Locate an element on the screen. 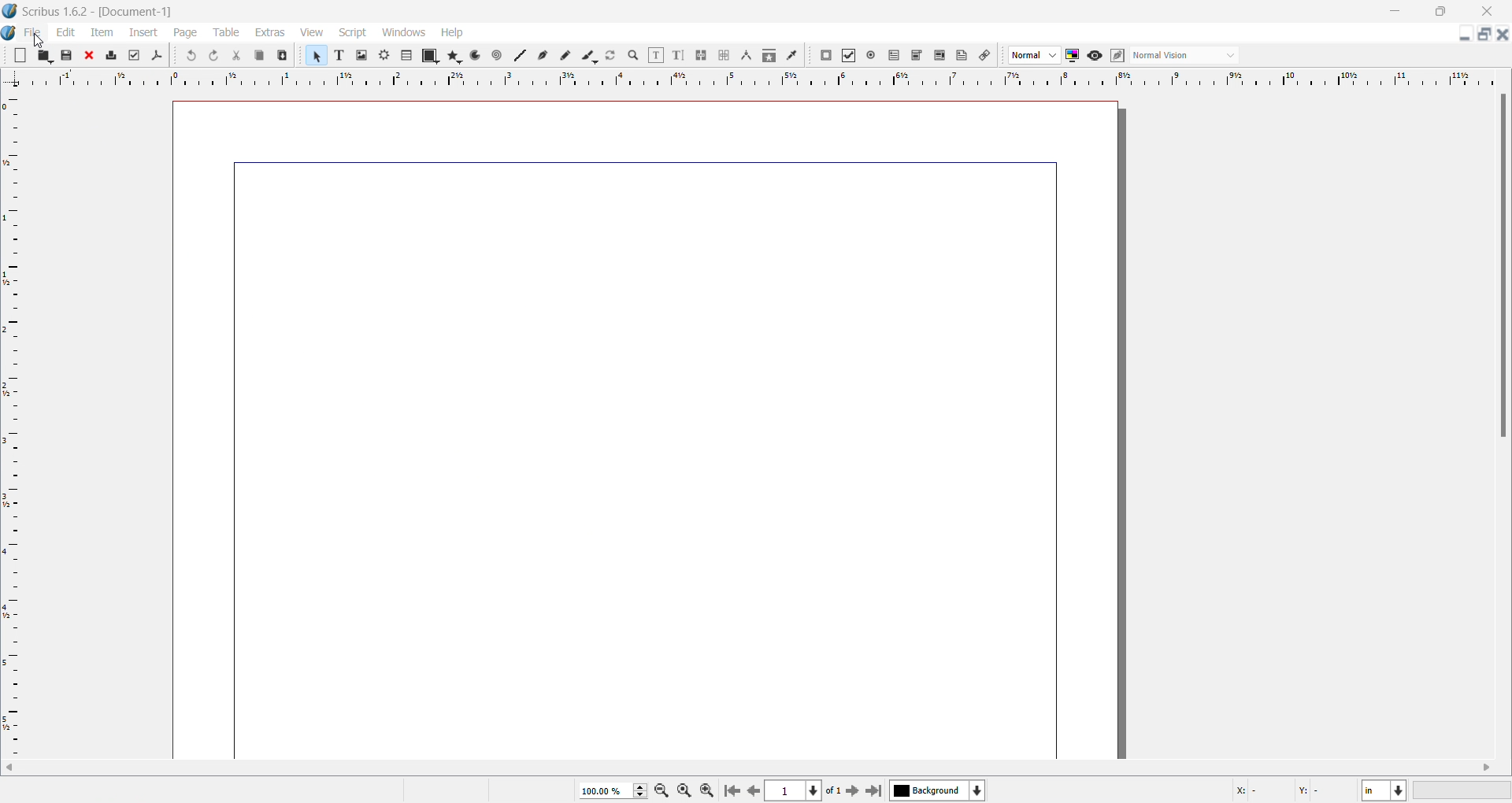 The height and width of the screenshot is (803, 1512). cursor  is located at coordinates (39, 40).